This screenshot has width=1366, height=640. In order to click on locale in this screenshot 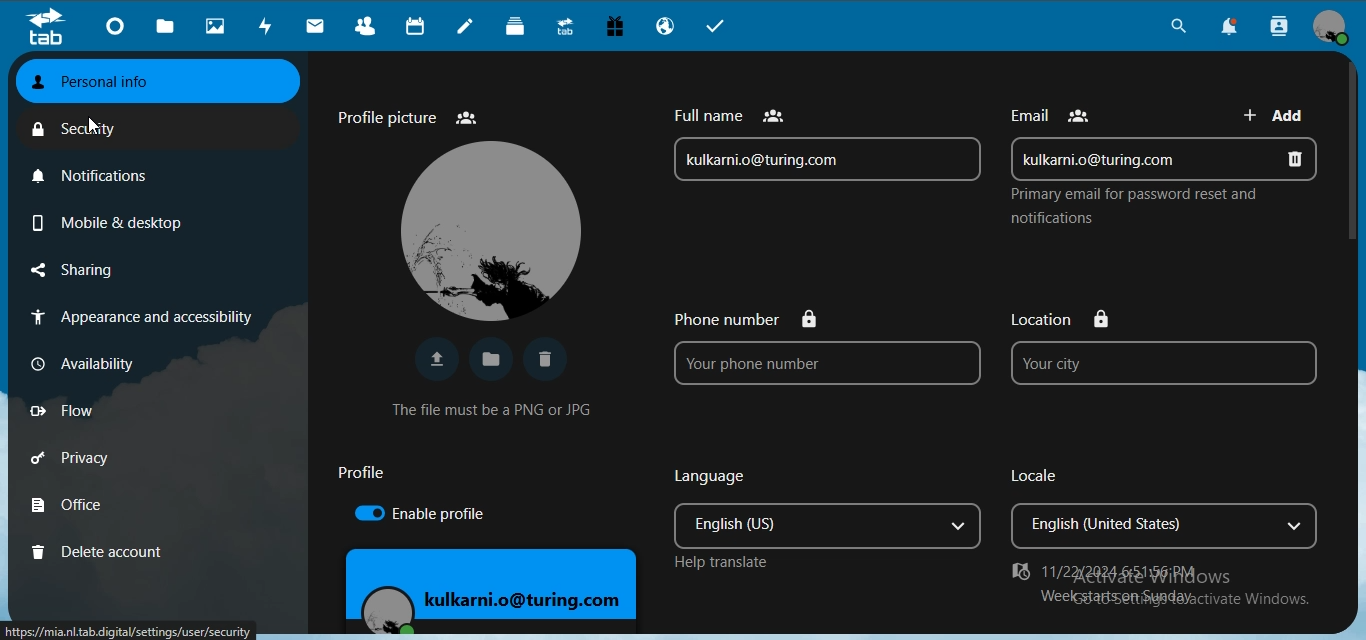, I will do `click(1048, 477)`.